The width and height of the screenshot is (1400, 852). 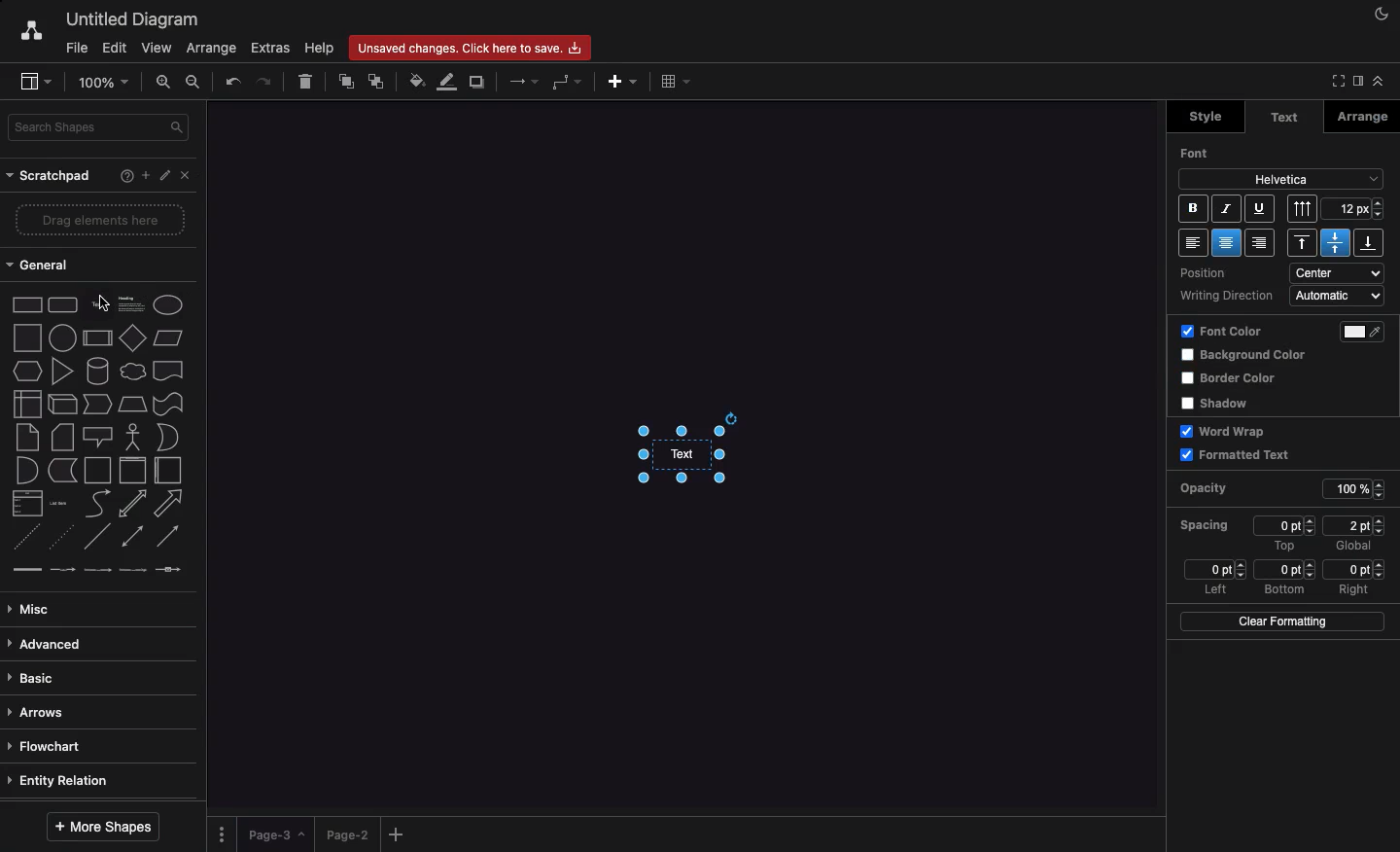 What do you see at coordinates (1193, 242) in the screenshot?
I see `Left aligned` at bounding box center [1193, 242].